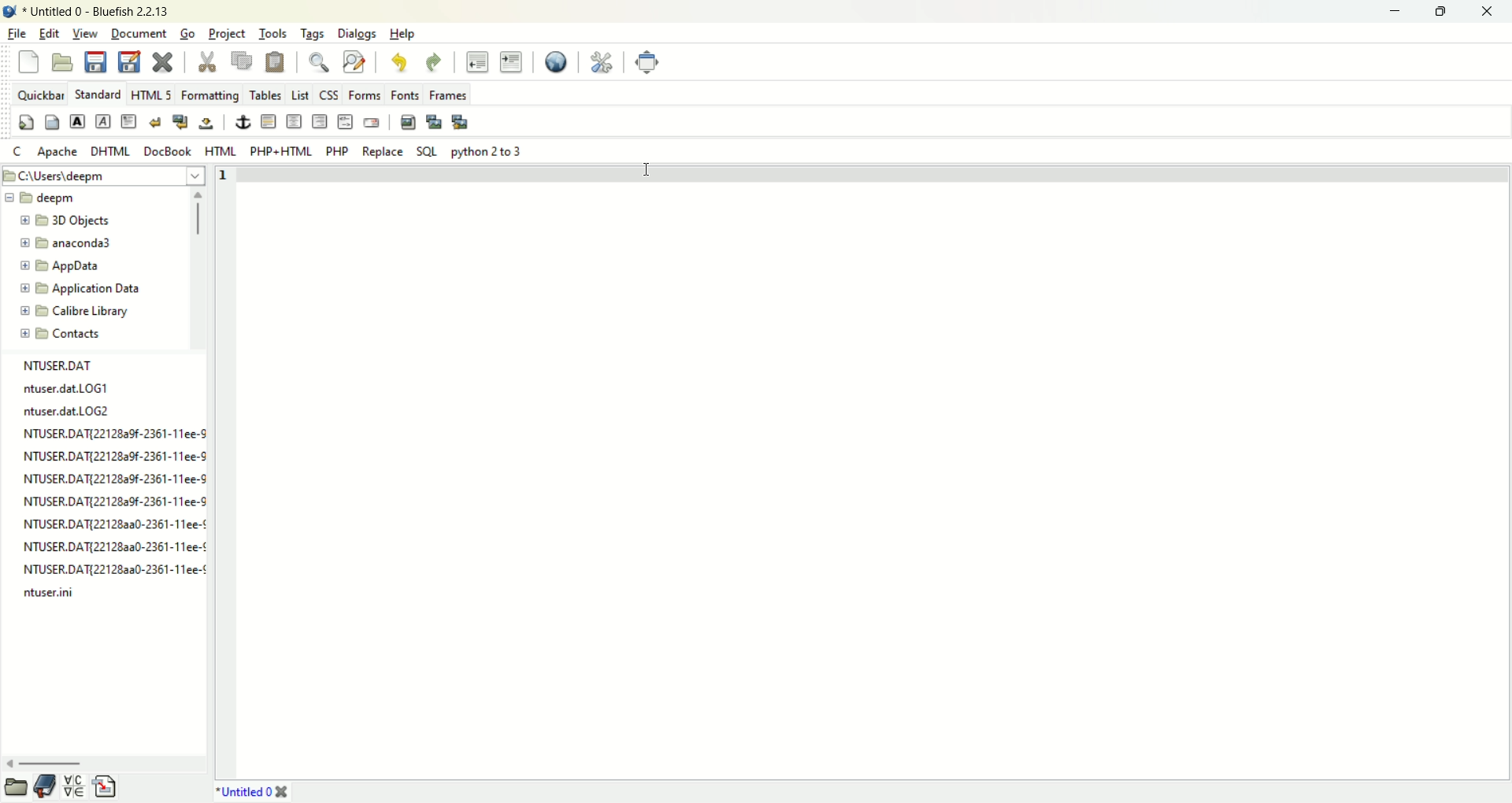 The image size is (1512, 803). I want to click on Application Data, so click(80, 288).